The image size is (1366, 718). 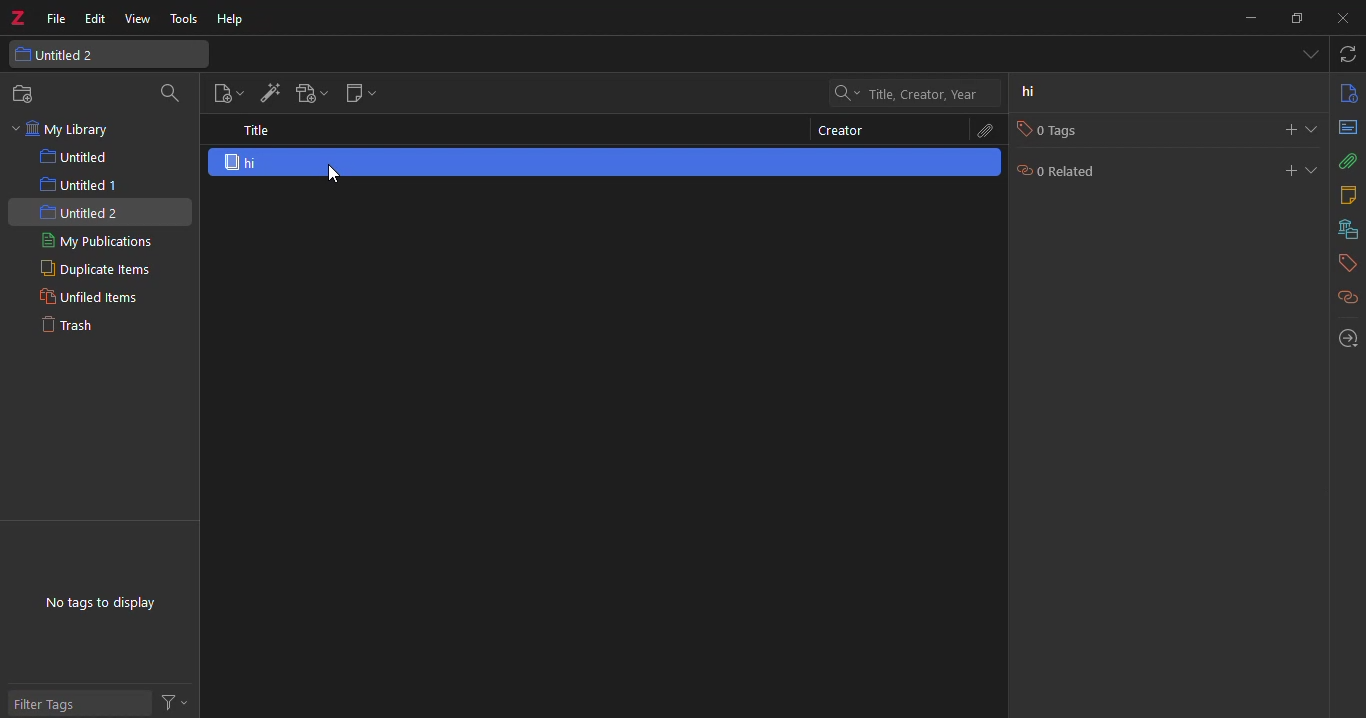 I want to click on help, so click(x=232, y=20).